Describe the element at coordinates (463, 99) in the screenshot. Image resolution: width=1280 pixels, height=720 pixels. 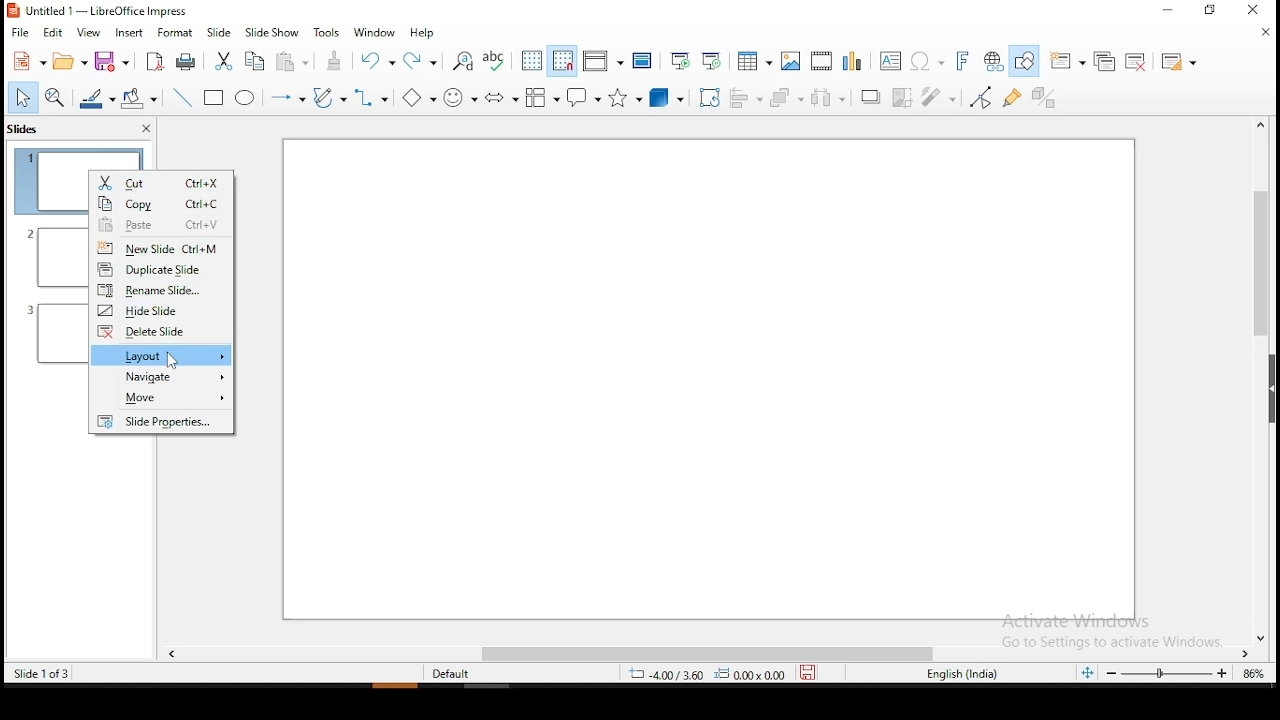
I see `symbol shapes` at that location.